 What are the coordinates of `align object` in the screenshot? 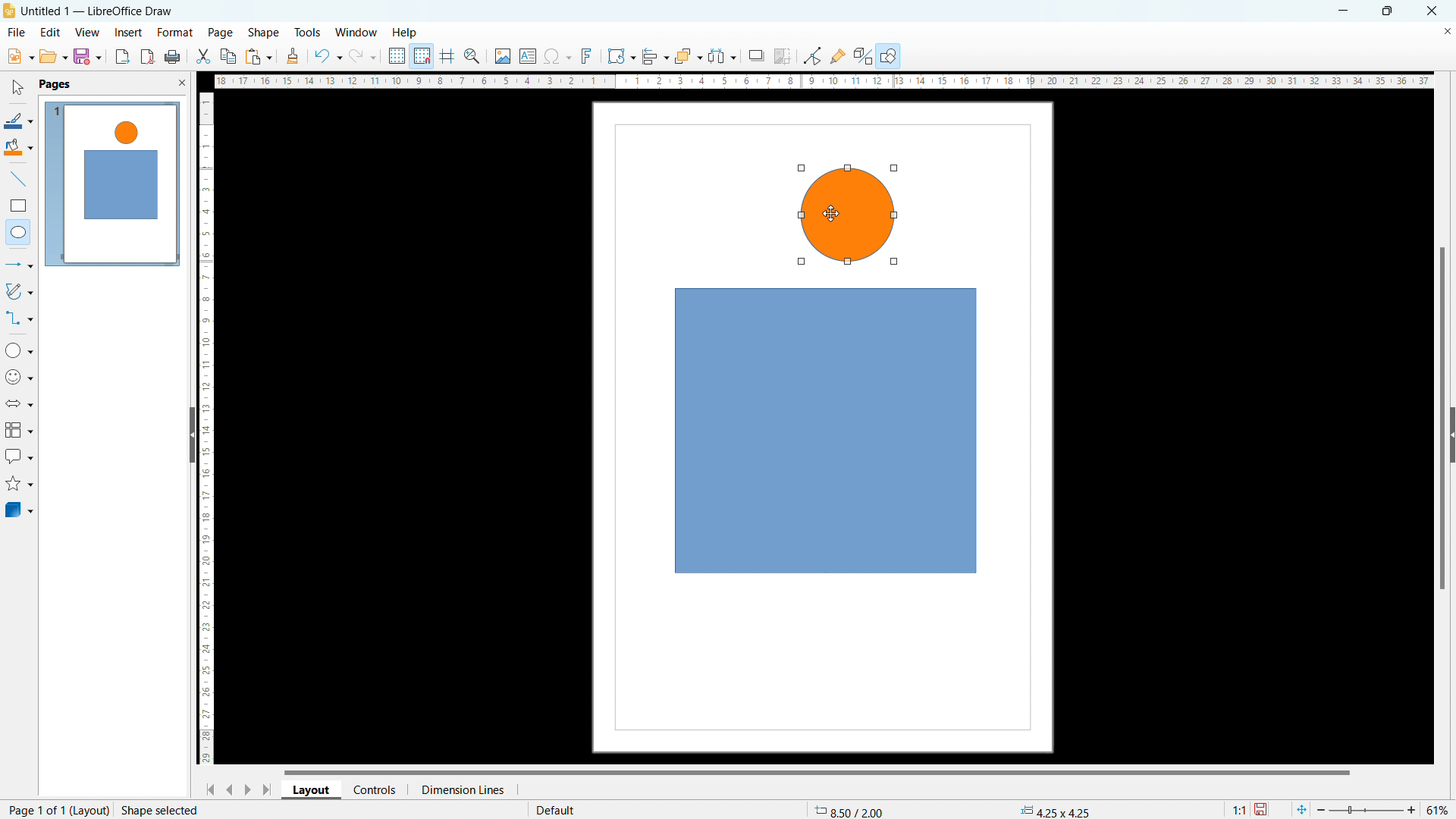 It's located at (654, 56).